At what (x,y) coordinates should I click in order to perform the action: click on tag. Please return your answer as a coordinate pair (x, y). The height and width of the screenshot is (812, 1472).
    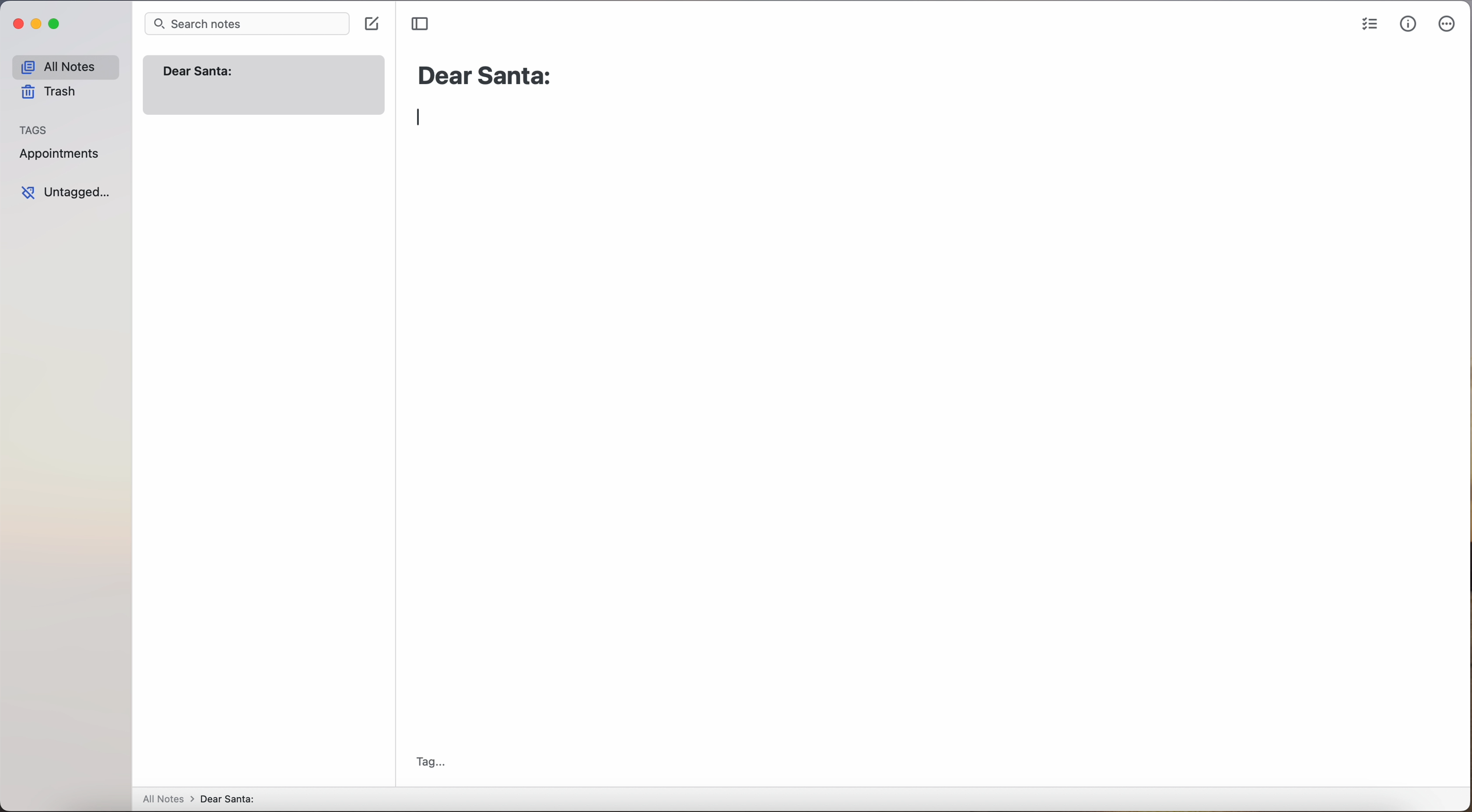
    Looking at the image, I should click on (443, 768).